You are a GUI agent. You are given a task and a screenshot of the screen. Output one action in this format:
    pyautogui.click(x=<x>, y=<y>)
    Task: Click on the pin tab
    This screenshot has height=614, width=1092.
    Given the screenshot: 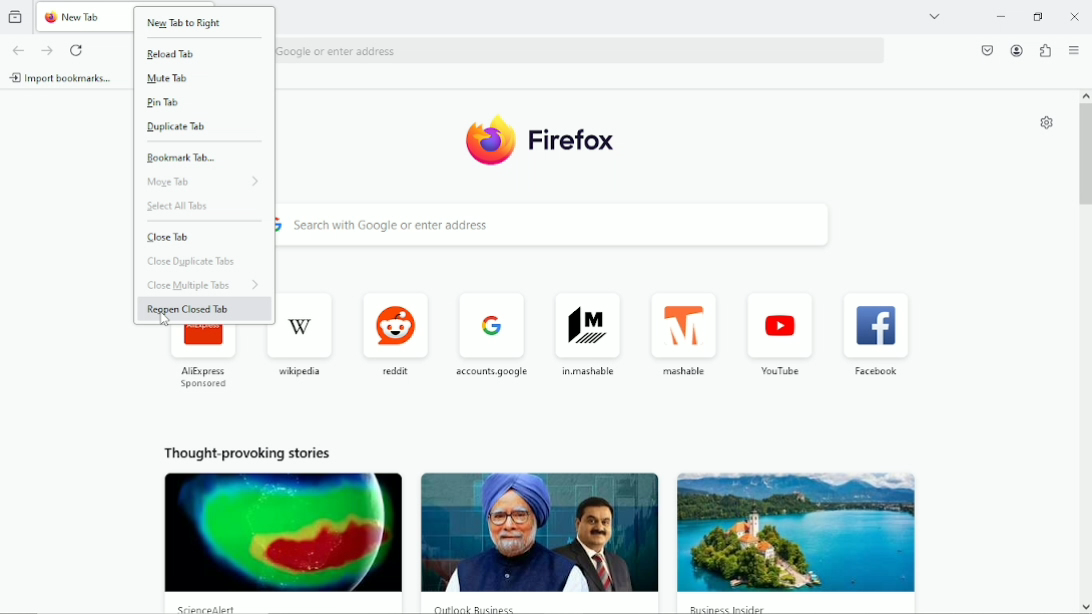 What is the action you would take?
    pyautogui.click(x=160, y=103)
    